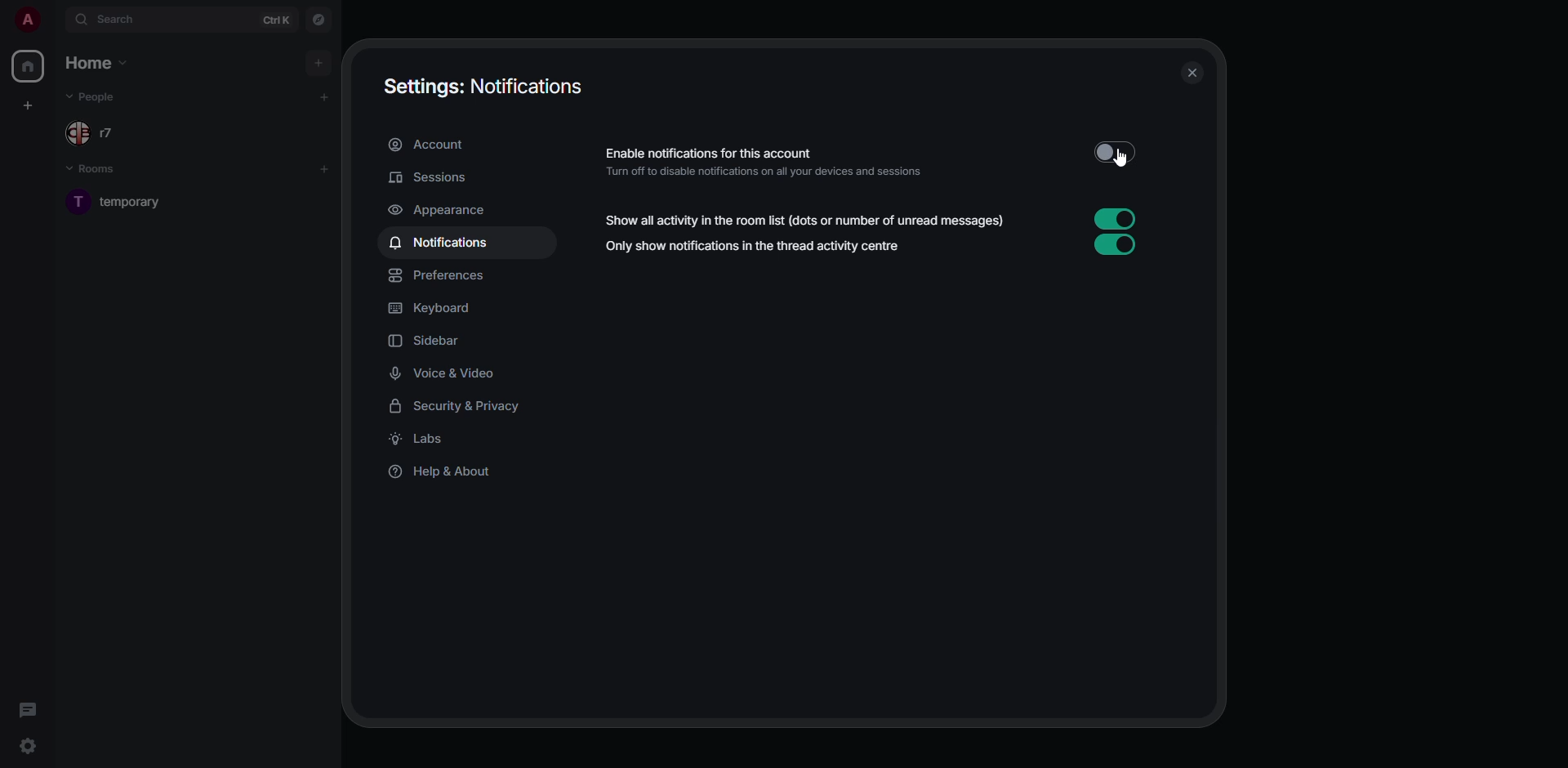  What do you see at coordinates (1114, 218) in the screenshot?
I see `enabled` at bounding box center [1114, 218].